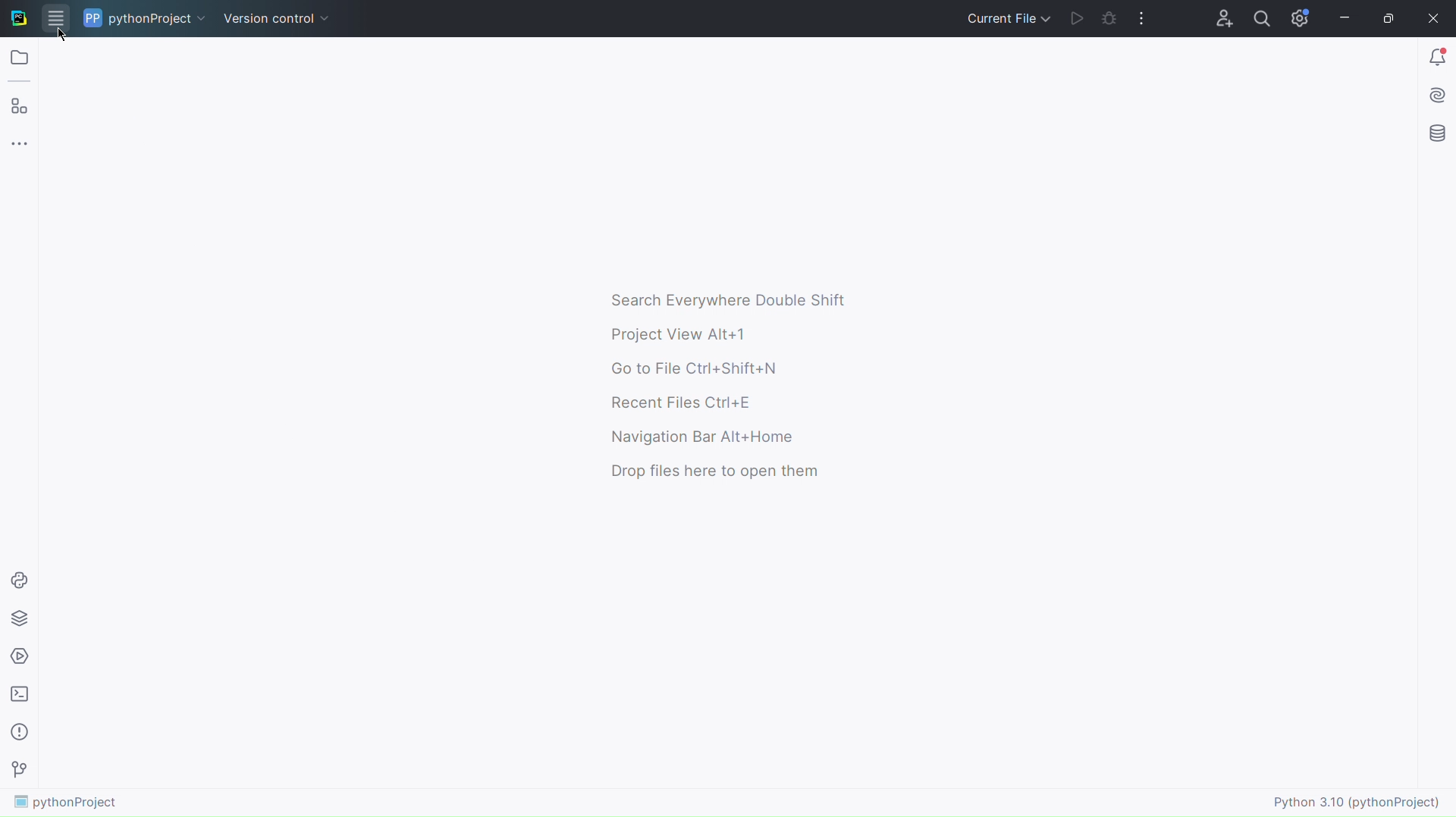 The height and width of the screenshot is (817, 1456). What do you see at coordinates (19, 694) in the screenshot?
I see `Terminal` at bounding box center [19, 694].